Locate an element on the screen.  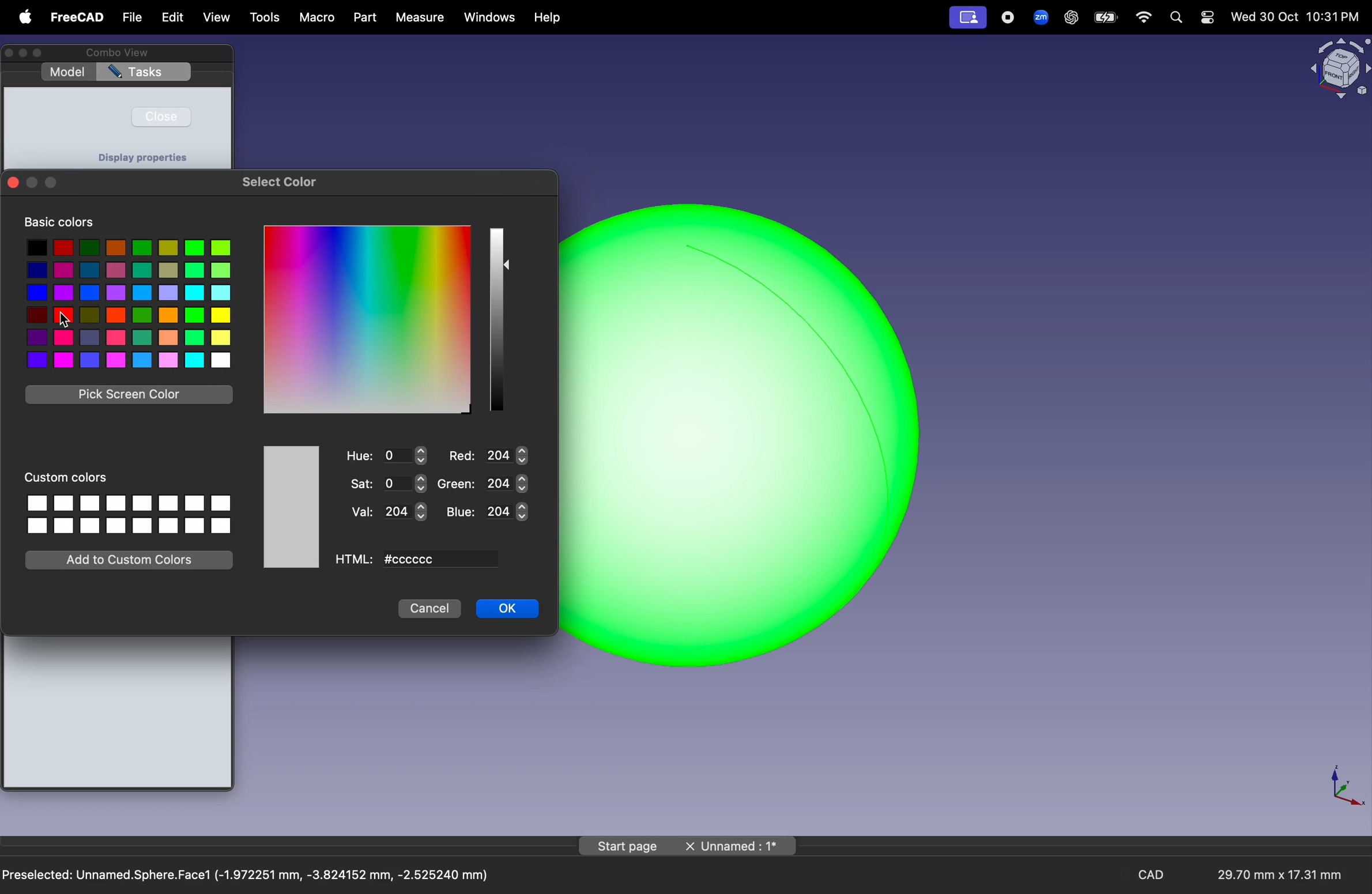
val is located at coordinates (389, 512).